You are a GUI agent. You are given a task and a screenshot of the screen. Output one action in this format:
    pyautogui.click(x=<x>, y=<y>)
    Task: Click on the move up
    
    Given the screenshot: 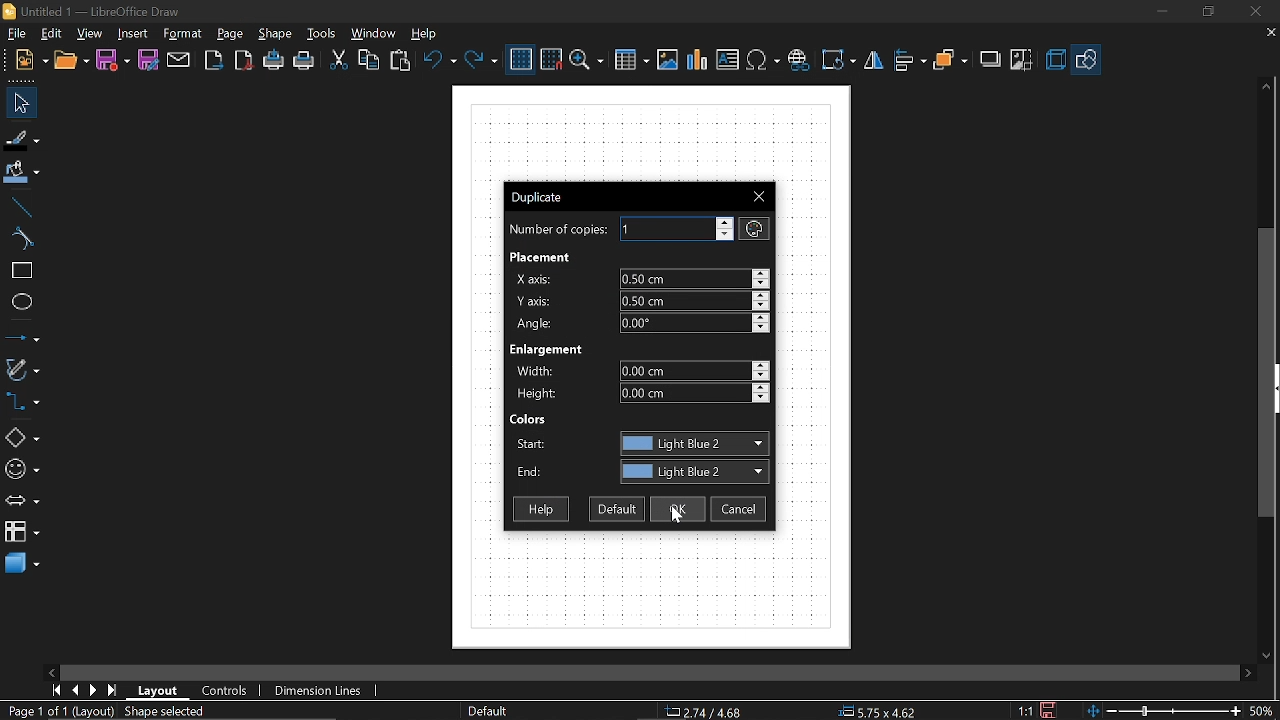 What is the action you would take?
    pyautogui.click(x=1263, y=88)
    